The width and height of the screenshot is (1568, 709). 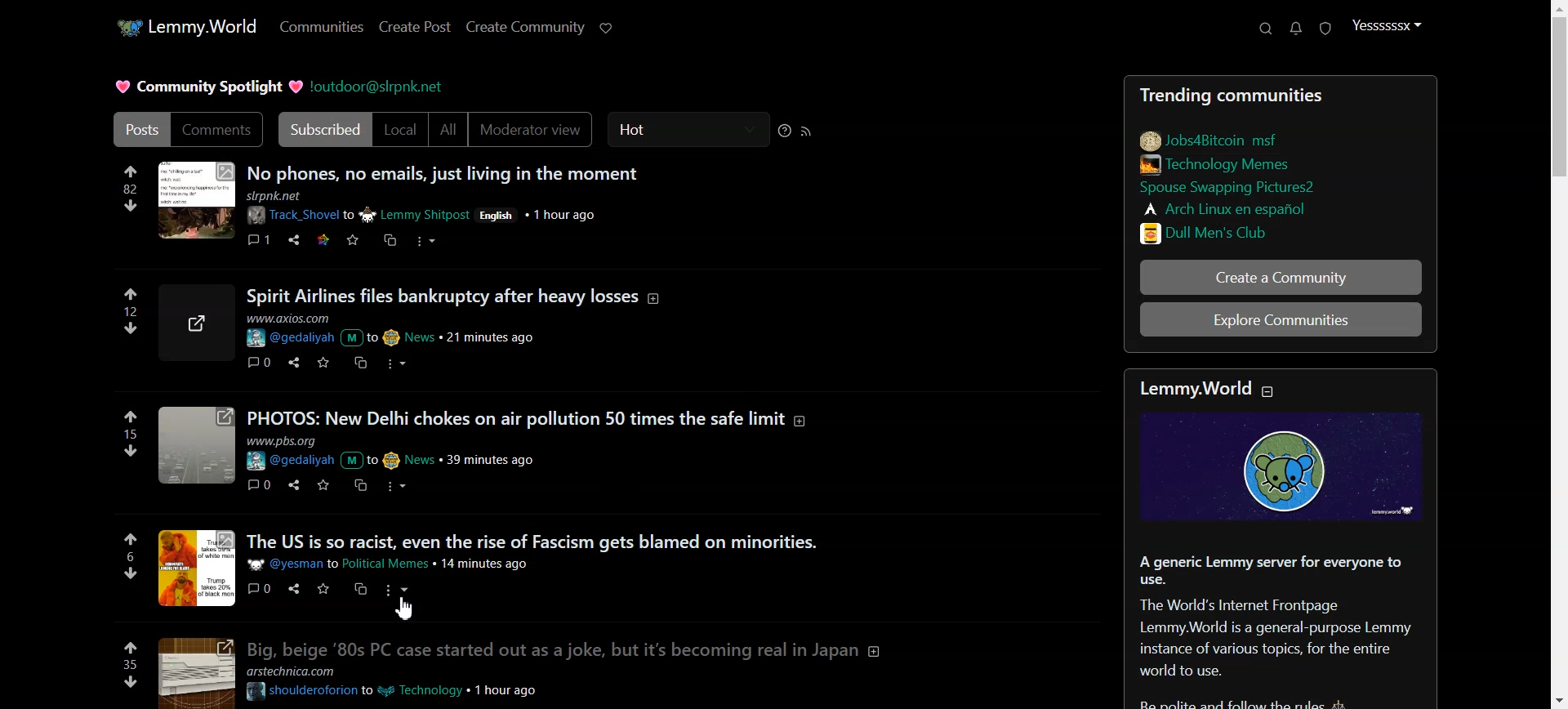 What do you see at coordinates (362, 588) in the screenshot?
I see `cross post` at bounding box center [362, 588].